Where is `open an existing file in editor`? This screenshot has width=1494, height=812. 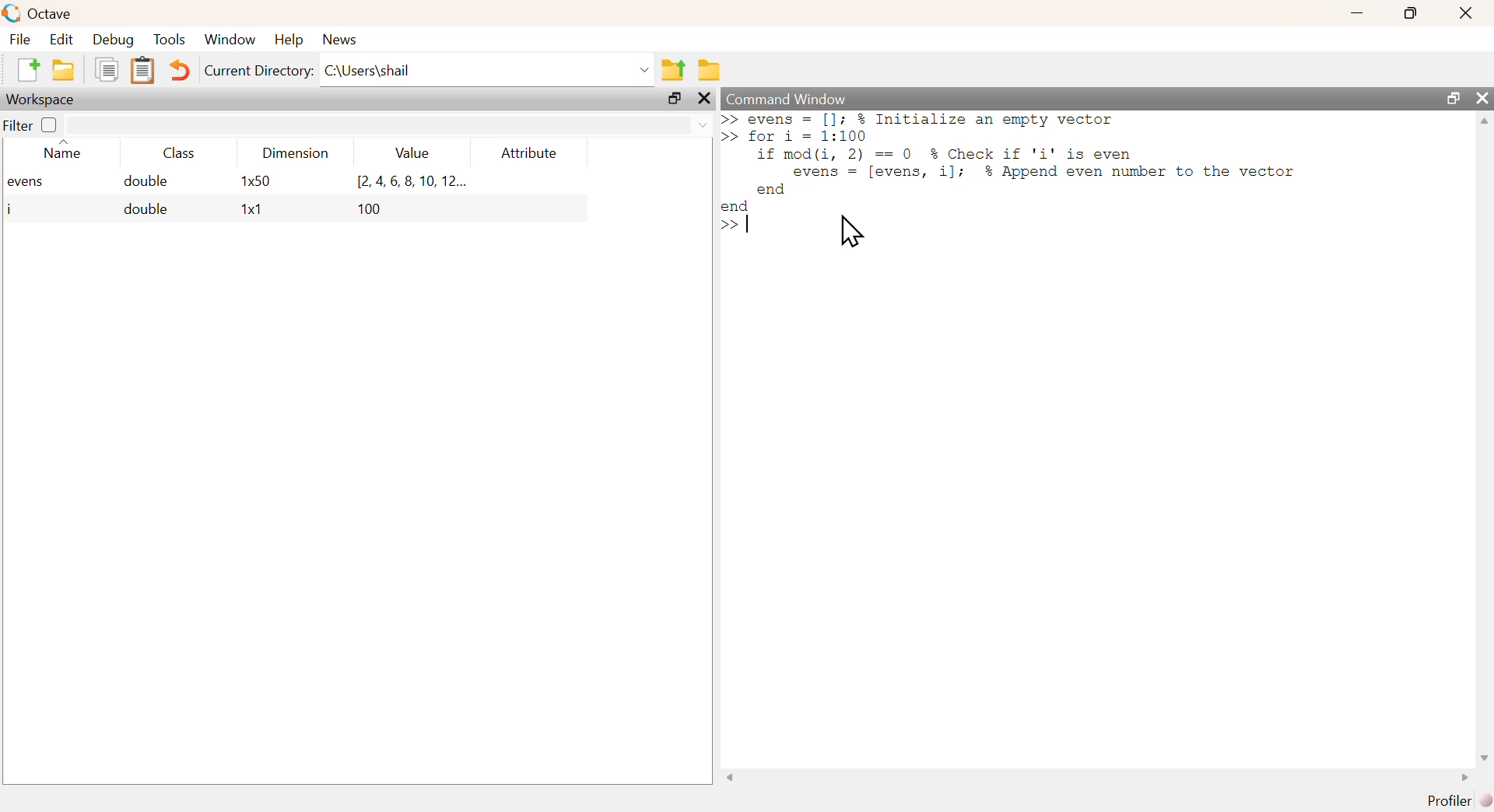 open an existing file in editor is located at coordinates (63, 69).